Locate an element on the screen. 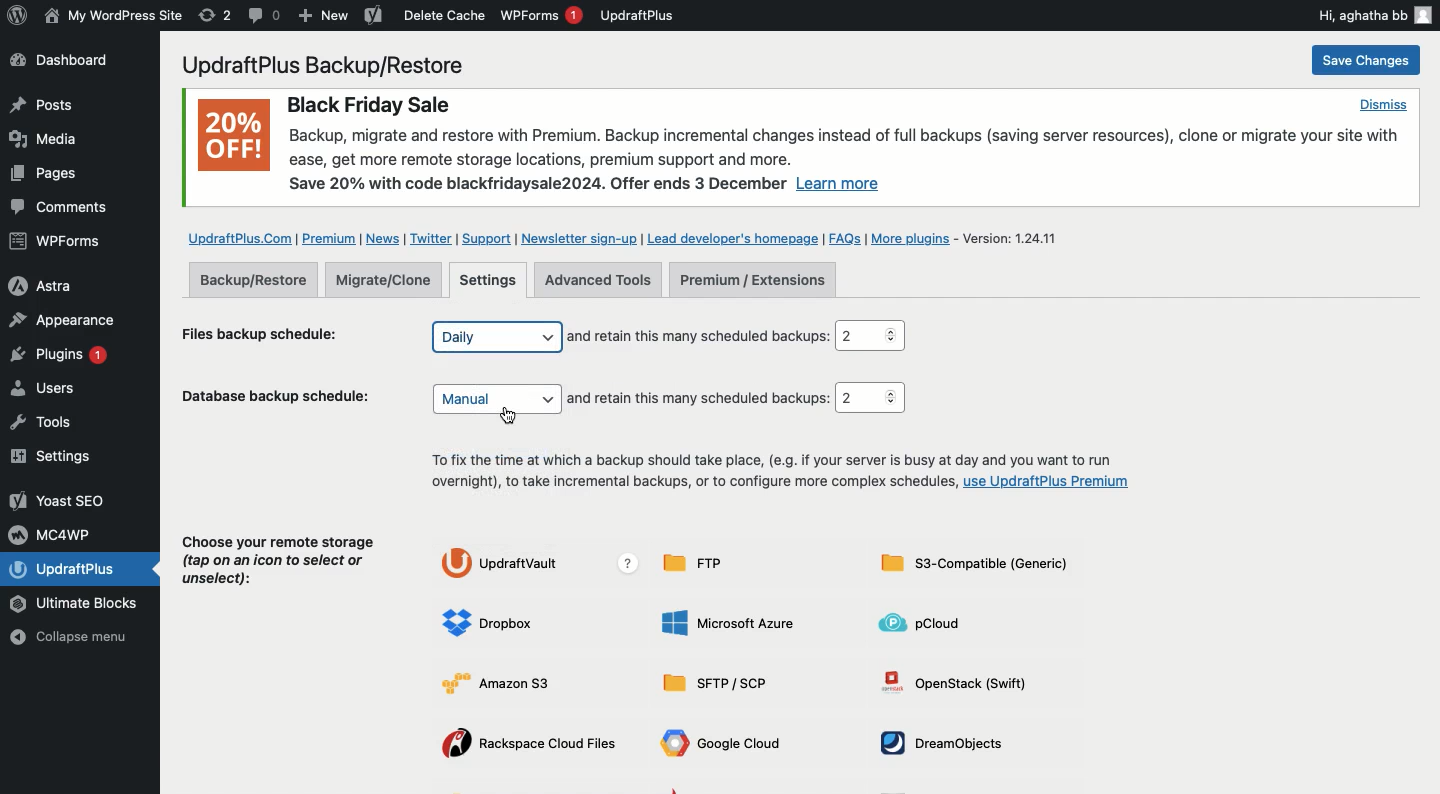 The width and height of the screenshot is (1440, 794). Premium extensions is located at coordinates (752, 281).